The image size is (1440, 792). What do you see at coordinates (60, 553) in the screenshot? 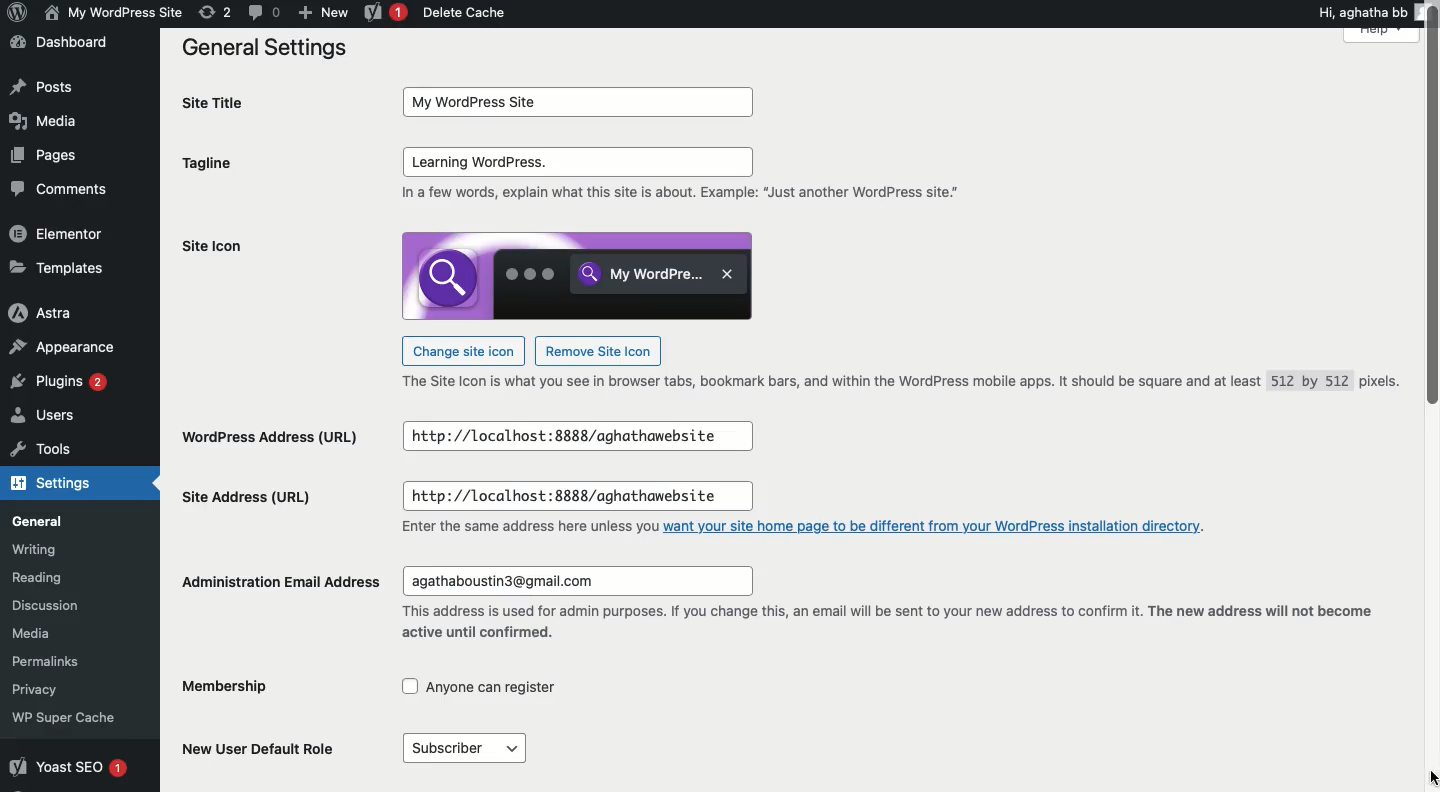
I see `Writing` at bounding box center [60, 553].